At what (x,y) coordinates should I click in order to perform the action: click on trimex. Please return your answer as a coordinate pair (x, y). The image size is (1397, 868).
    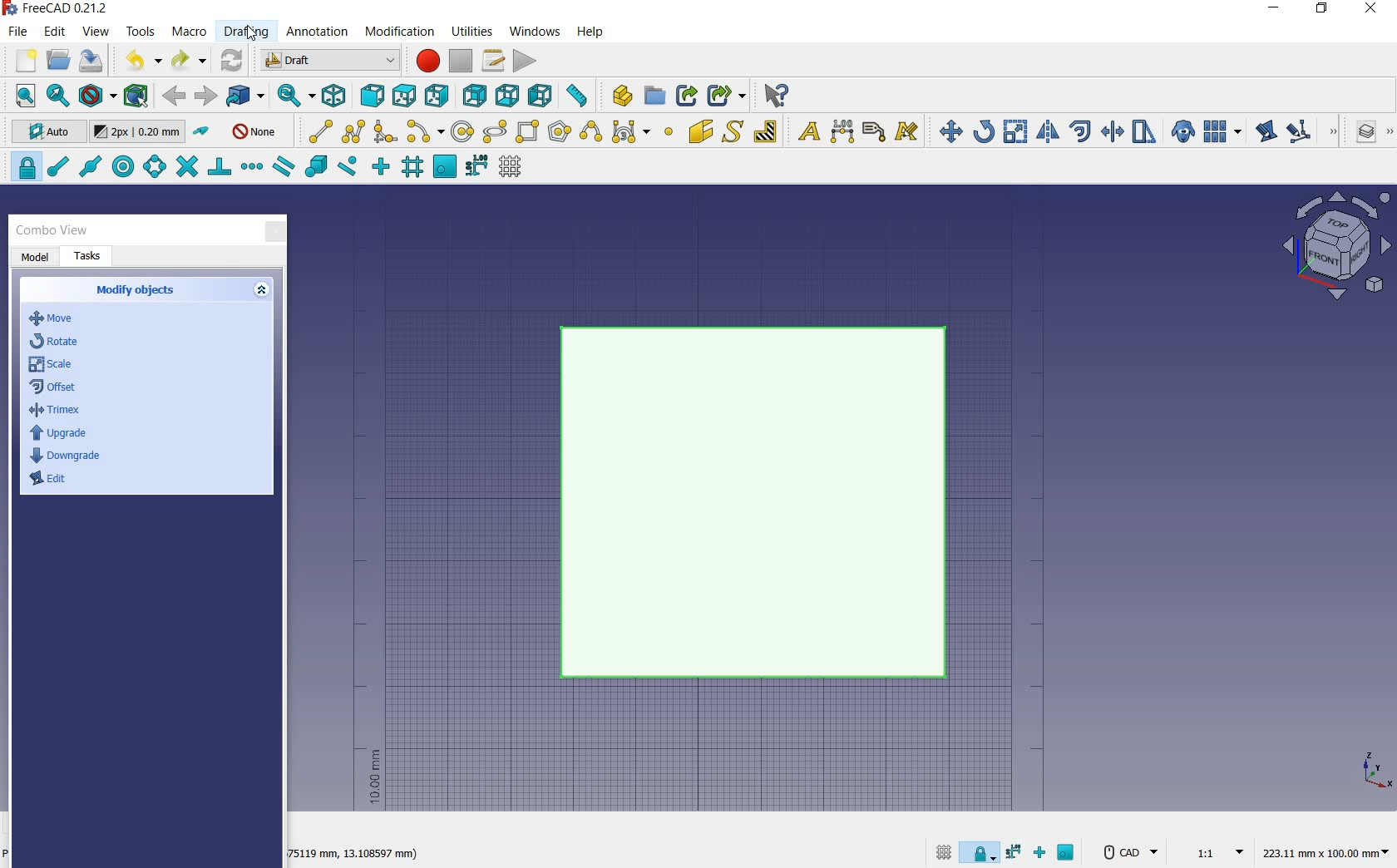
    Looking at the image, I should click on (1111, 133).